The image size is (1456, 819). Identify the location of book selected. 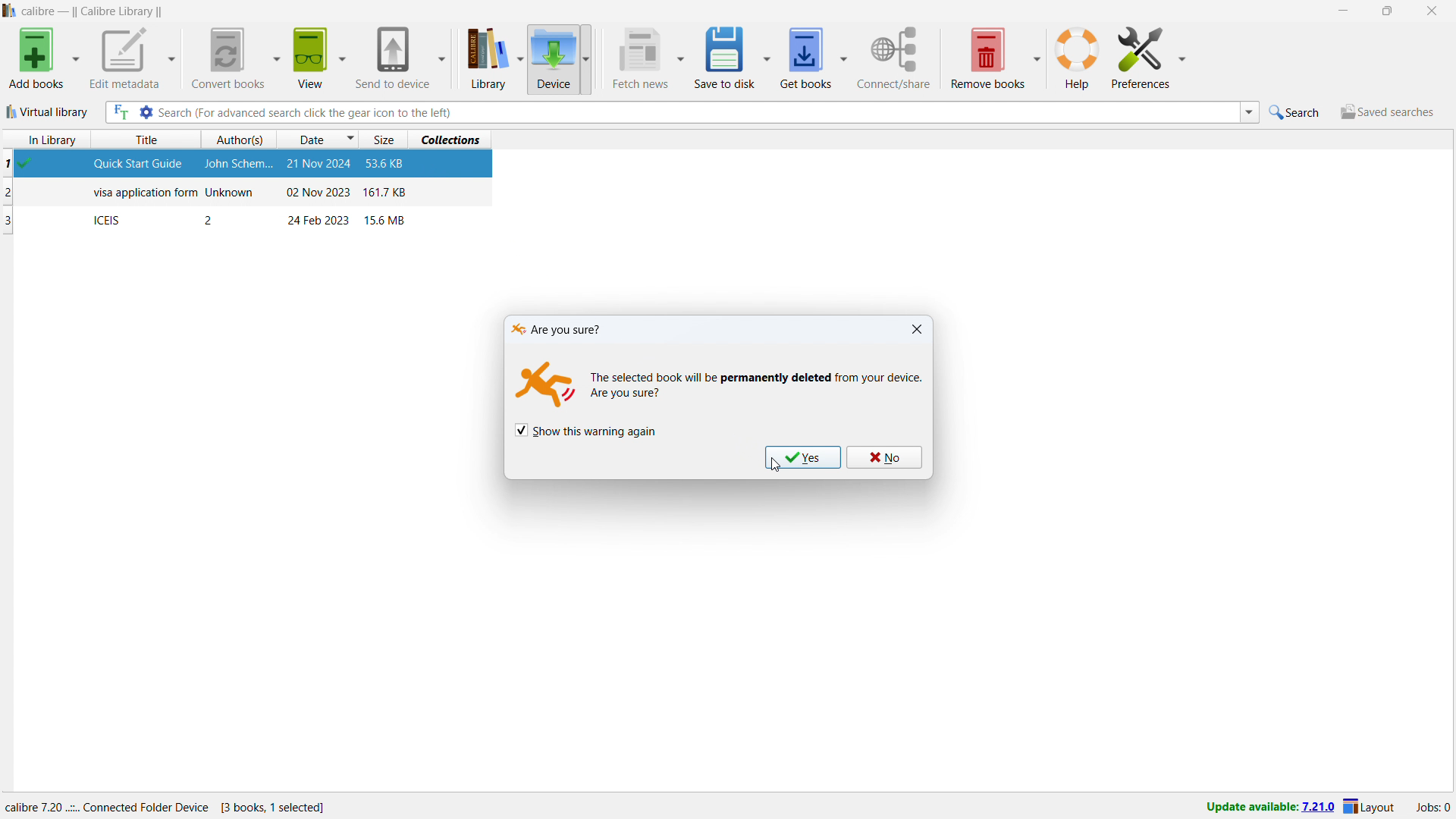
(249, 165).